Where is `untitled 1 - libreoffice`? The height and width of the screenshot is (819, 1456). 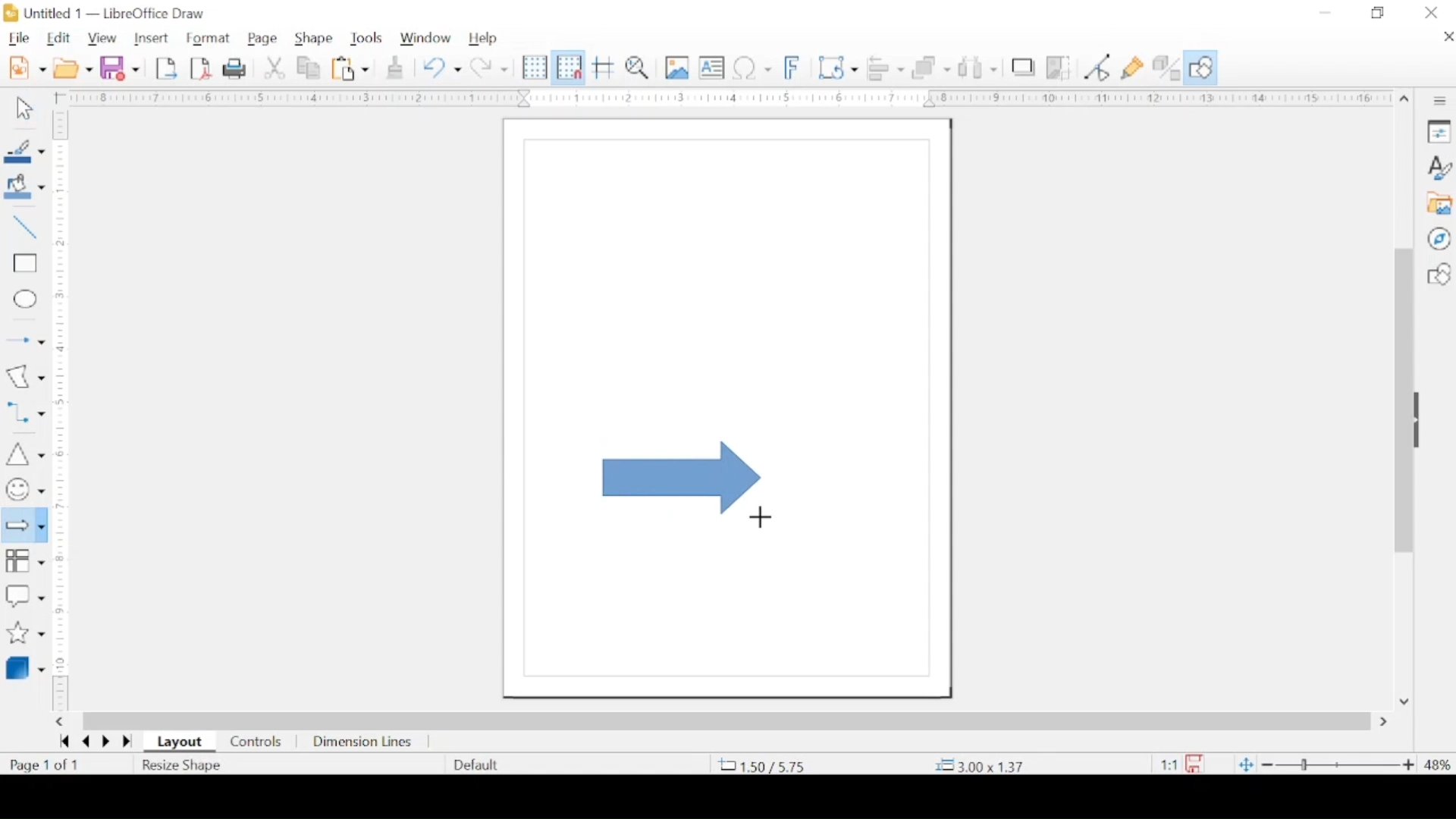 untitled 1 - libreoffice is located at coordinates (108, 13).